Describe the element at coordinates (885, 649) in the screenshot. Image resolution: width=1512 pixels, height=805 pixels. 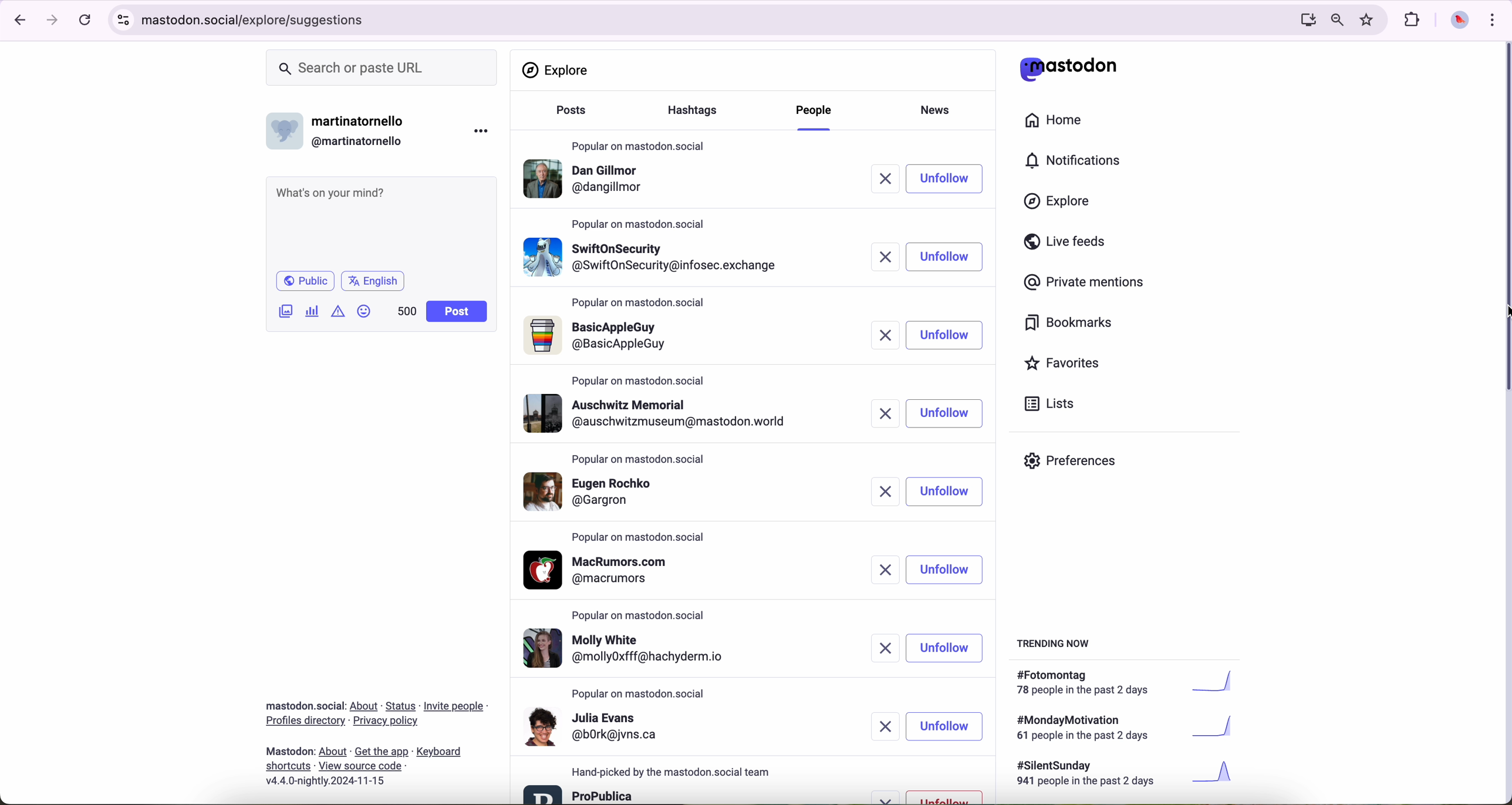
I see `remove` at that location.